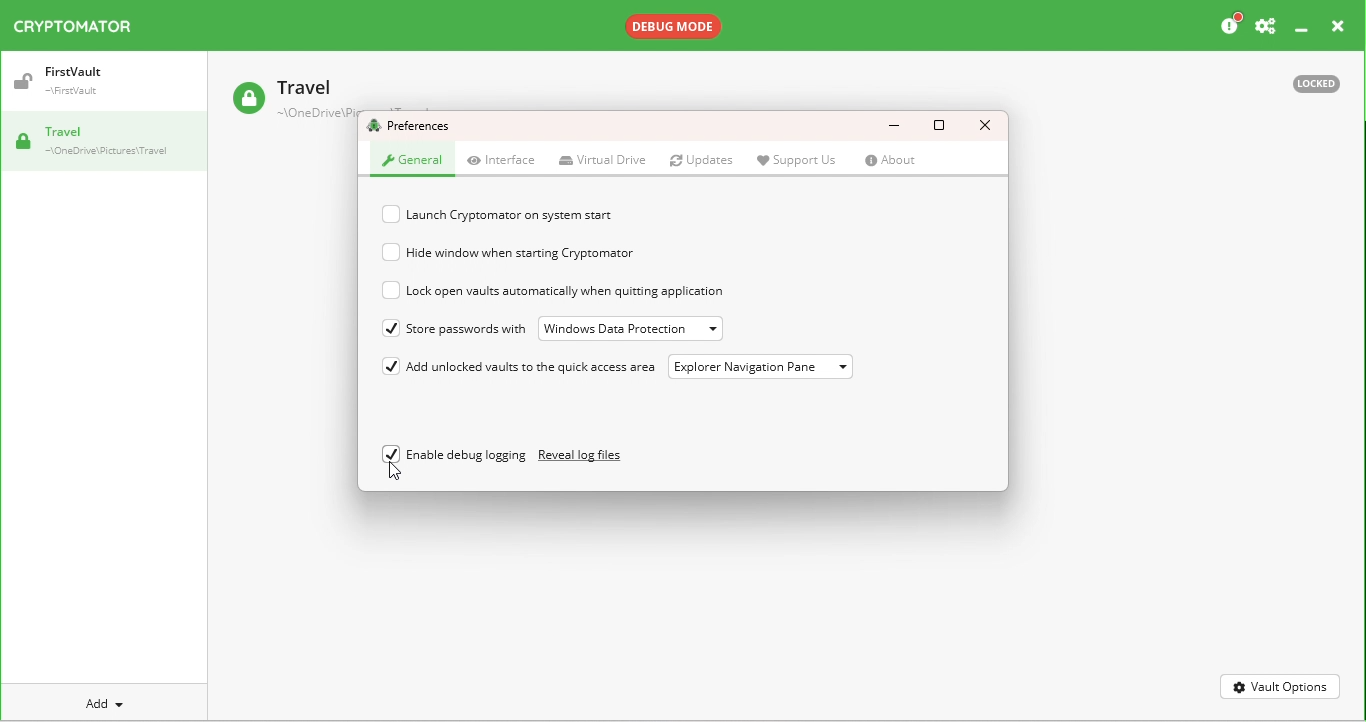 This screenshot has width=1366, height=722. Describe the element at coordinates (80, 26) in the screenshot. I see `Cryptomator` at that location.